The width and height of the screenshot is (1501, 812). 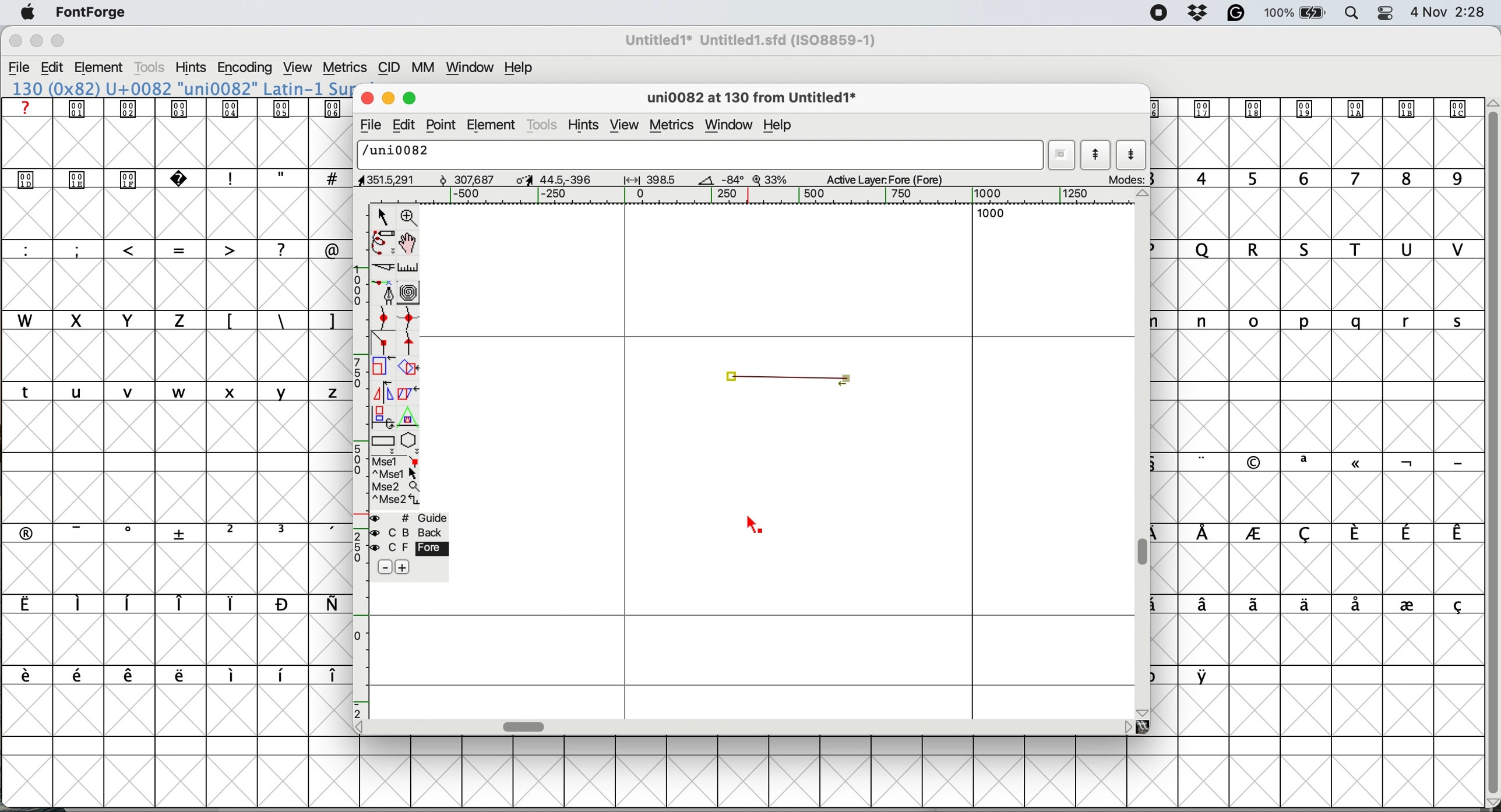 I want to click on show next letter, so click(x=1132, y=156).